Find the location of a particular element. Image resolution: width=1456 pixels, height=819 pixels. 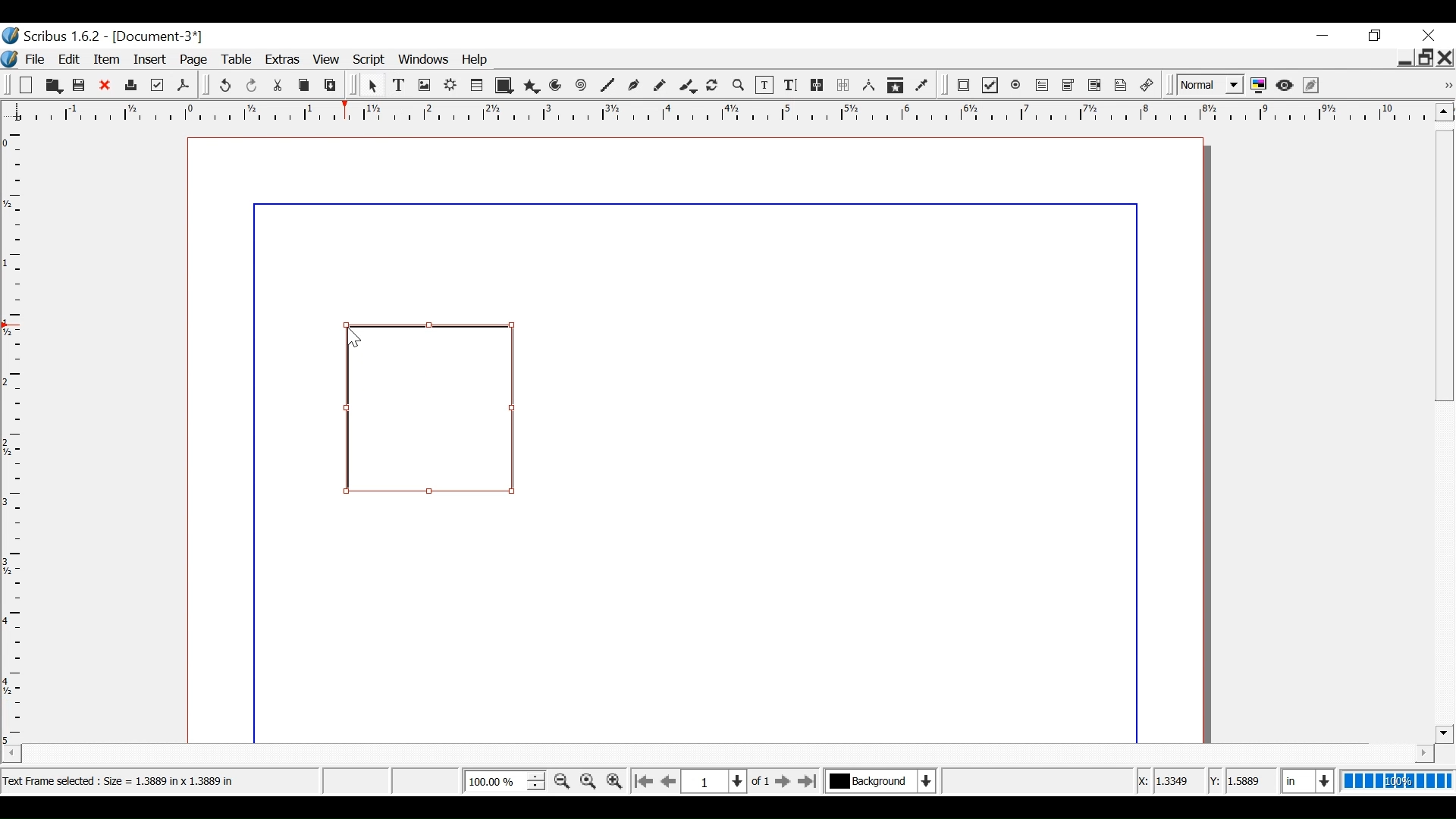

Print is located at coordinates (130, 83).